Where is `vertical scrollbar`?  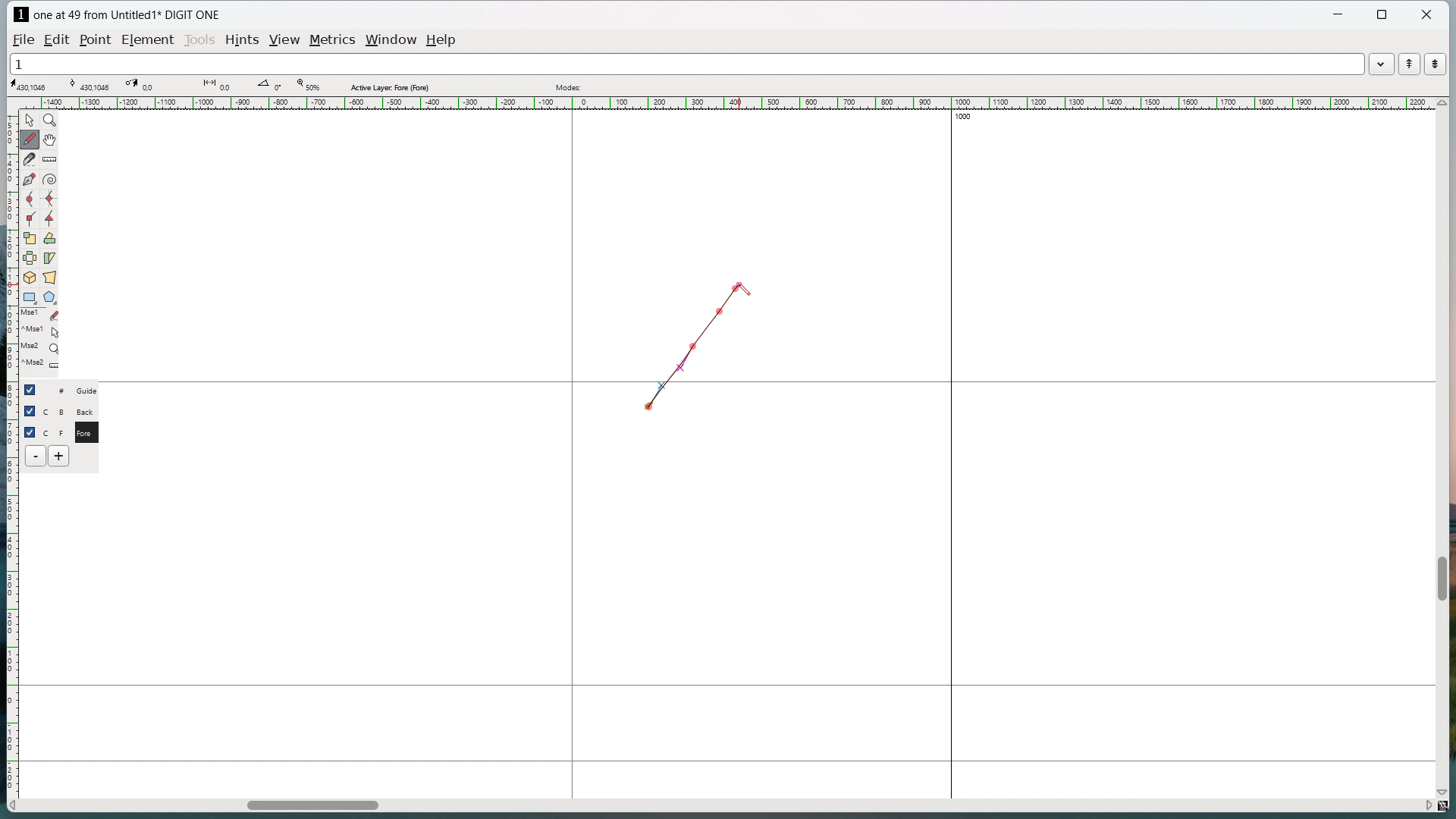
vertical scrollbar is located at coordinates (1441, 579).